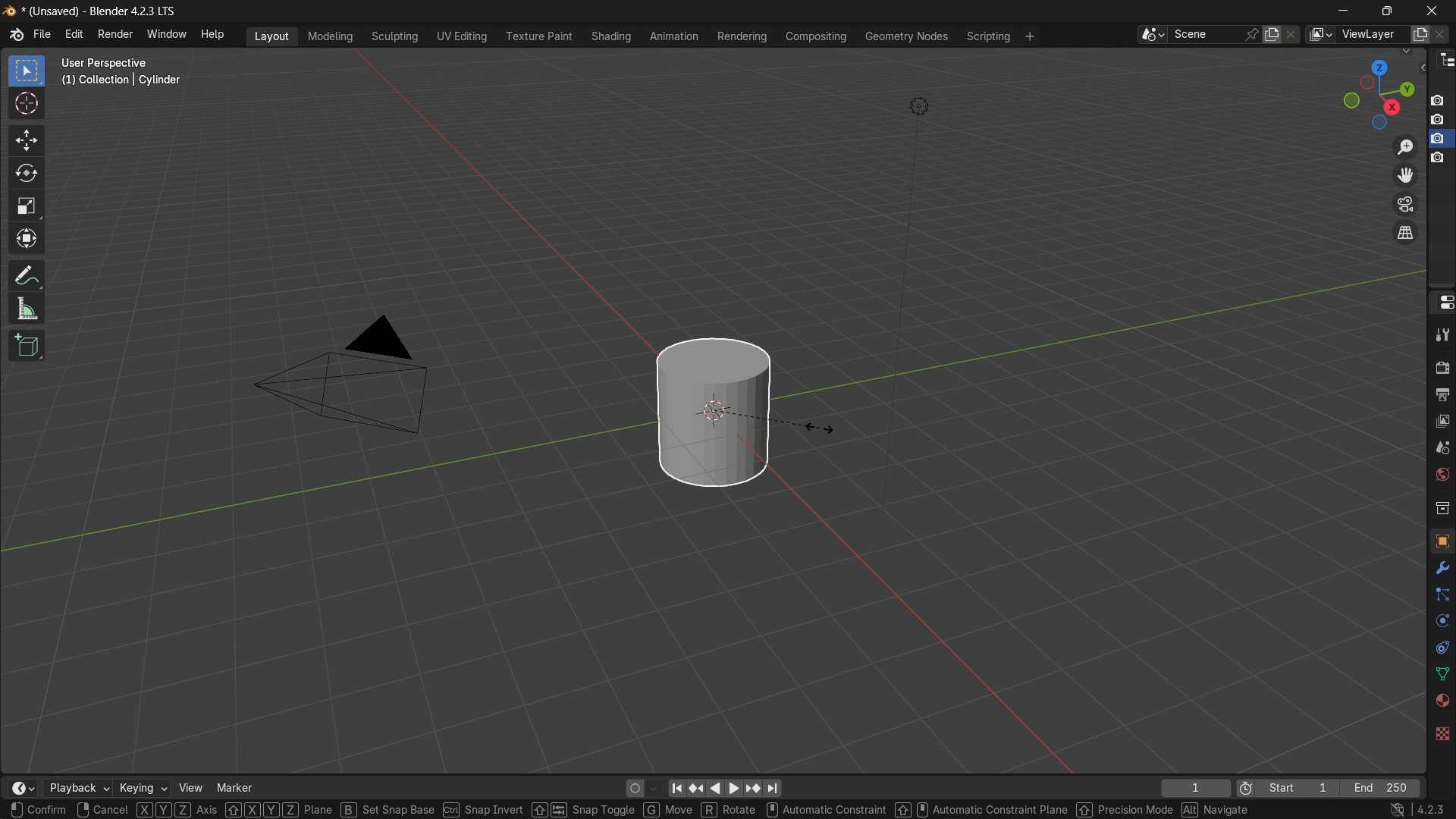  Describe the element at coordinates (821, 428) in the screenshot. I see `cursor` at that location.